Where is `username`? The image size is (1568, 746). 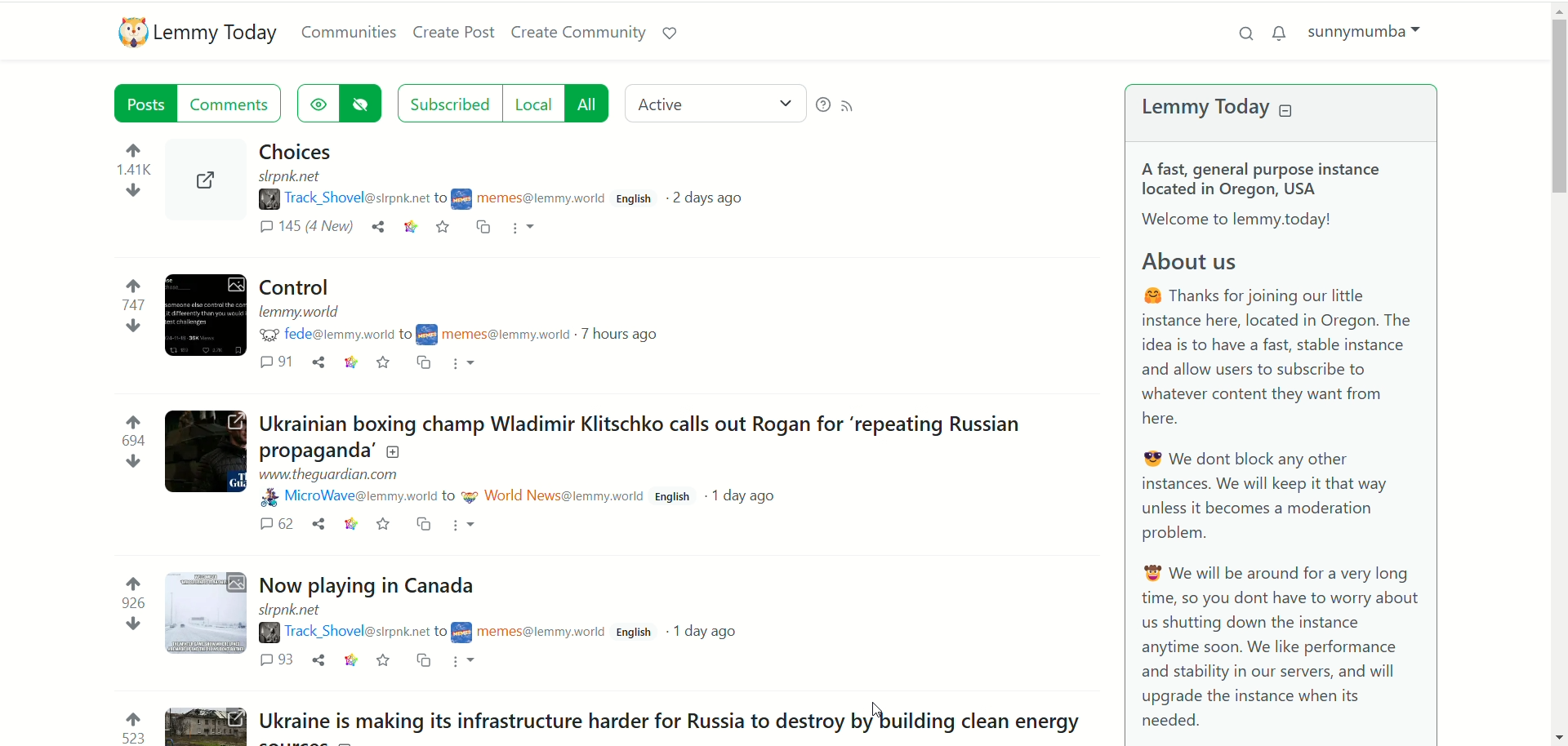 username is located at coordinates (342, 633).